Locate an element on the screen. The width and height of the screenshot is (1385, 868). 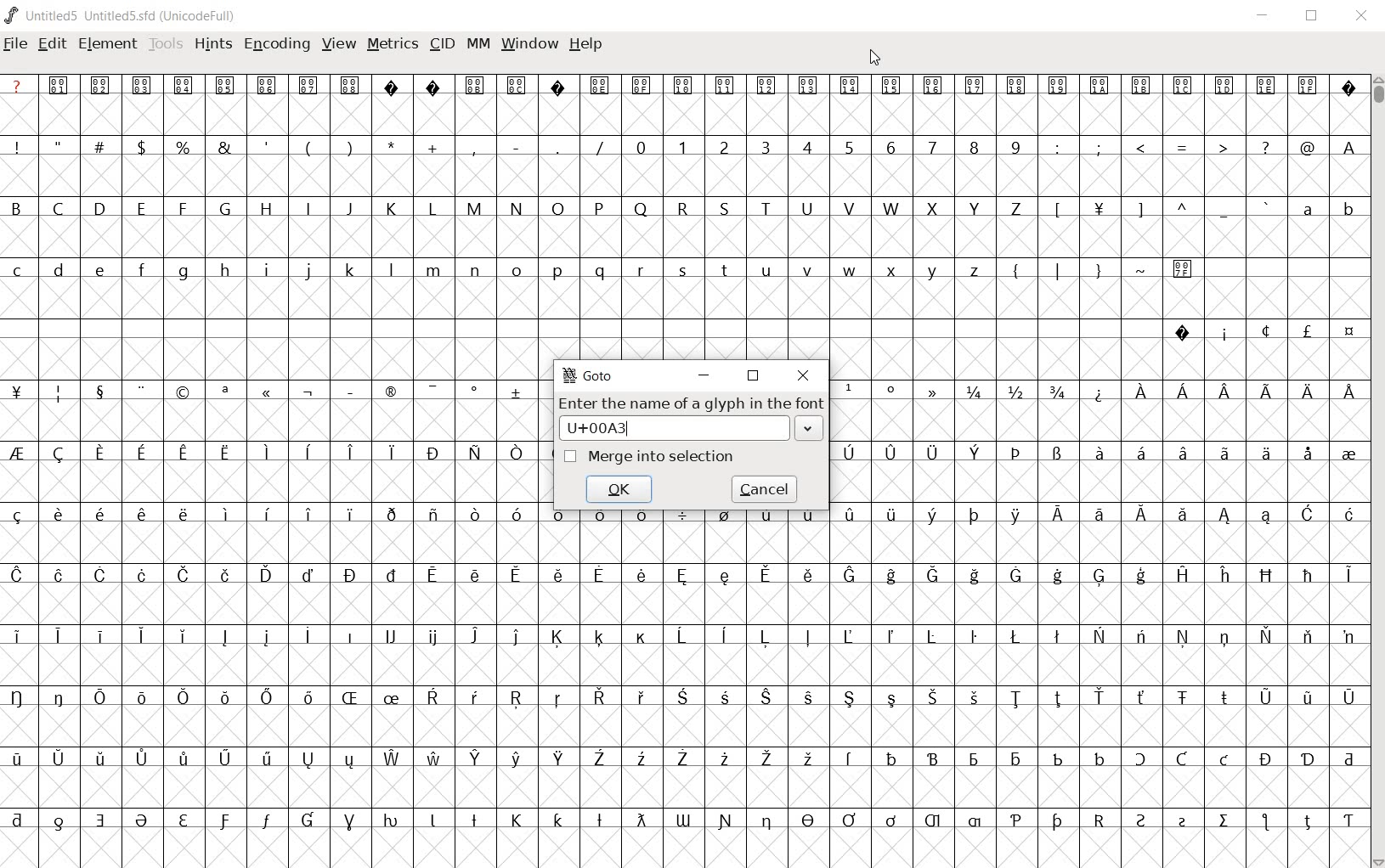
Symbol is located at coordinates (391, 637).